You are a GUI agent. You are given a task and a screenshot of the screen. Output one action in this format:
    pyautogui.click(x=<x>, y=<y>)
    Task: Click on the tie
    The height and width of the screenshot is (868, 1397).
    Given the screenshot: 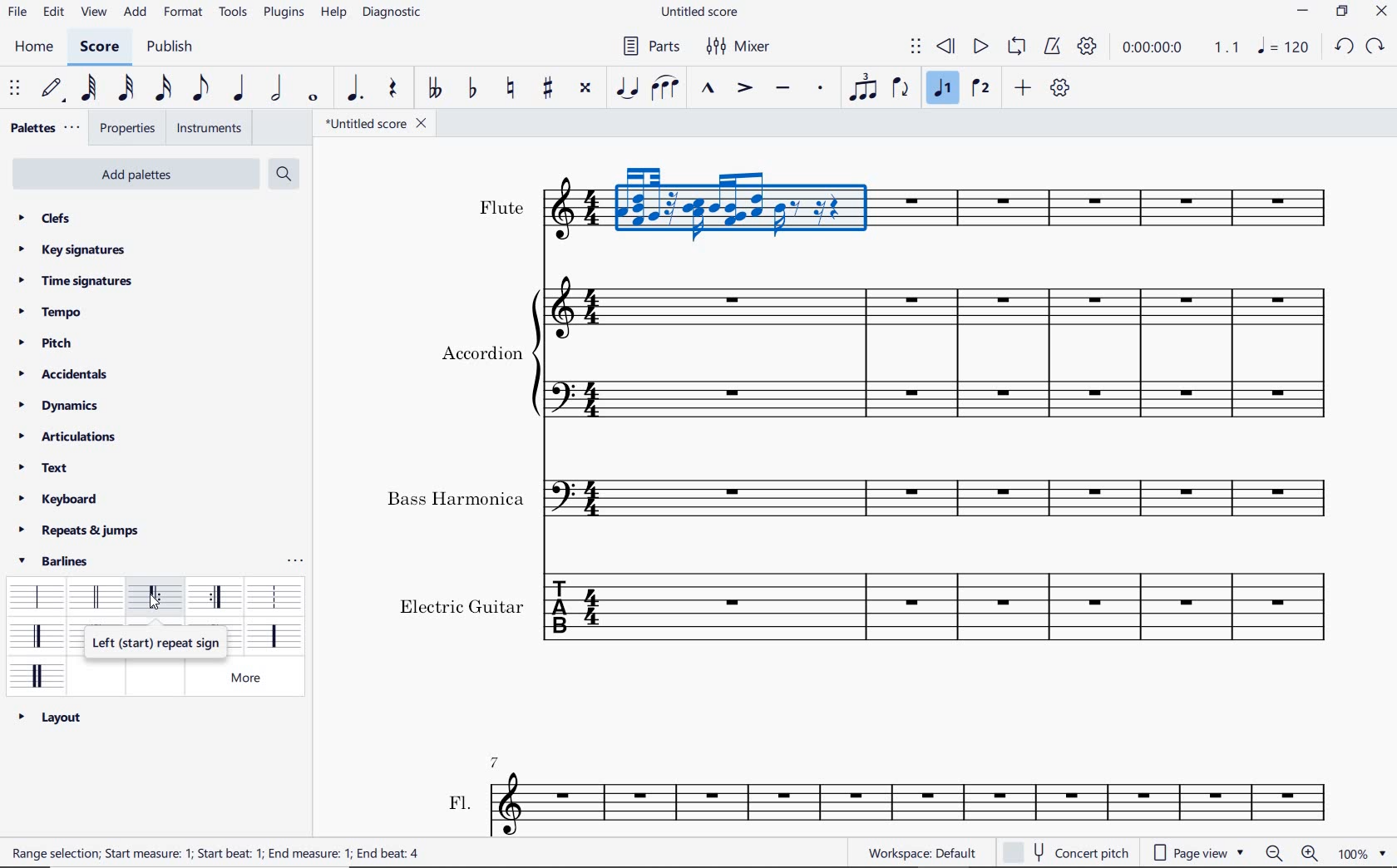 What is the action you would take?
    pyautogui.click(x=627, y=86)
    